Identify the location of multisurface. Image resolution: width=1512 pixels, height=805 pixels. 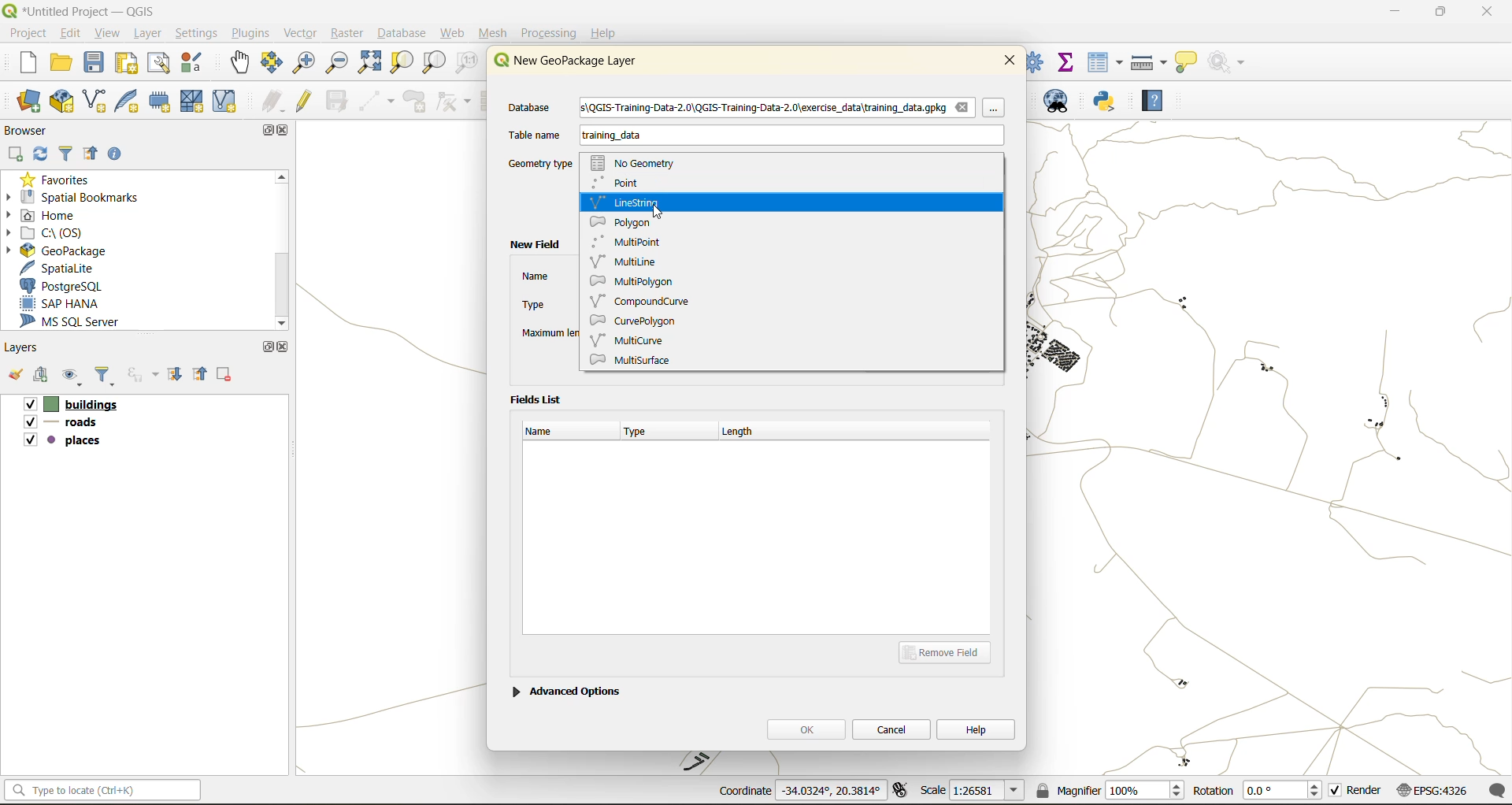
(647, 359).